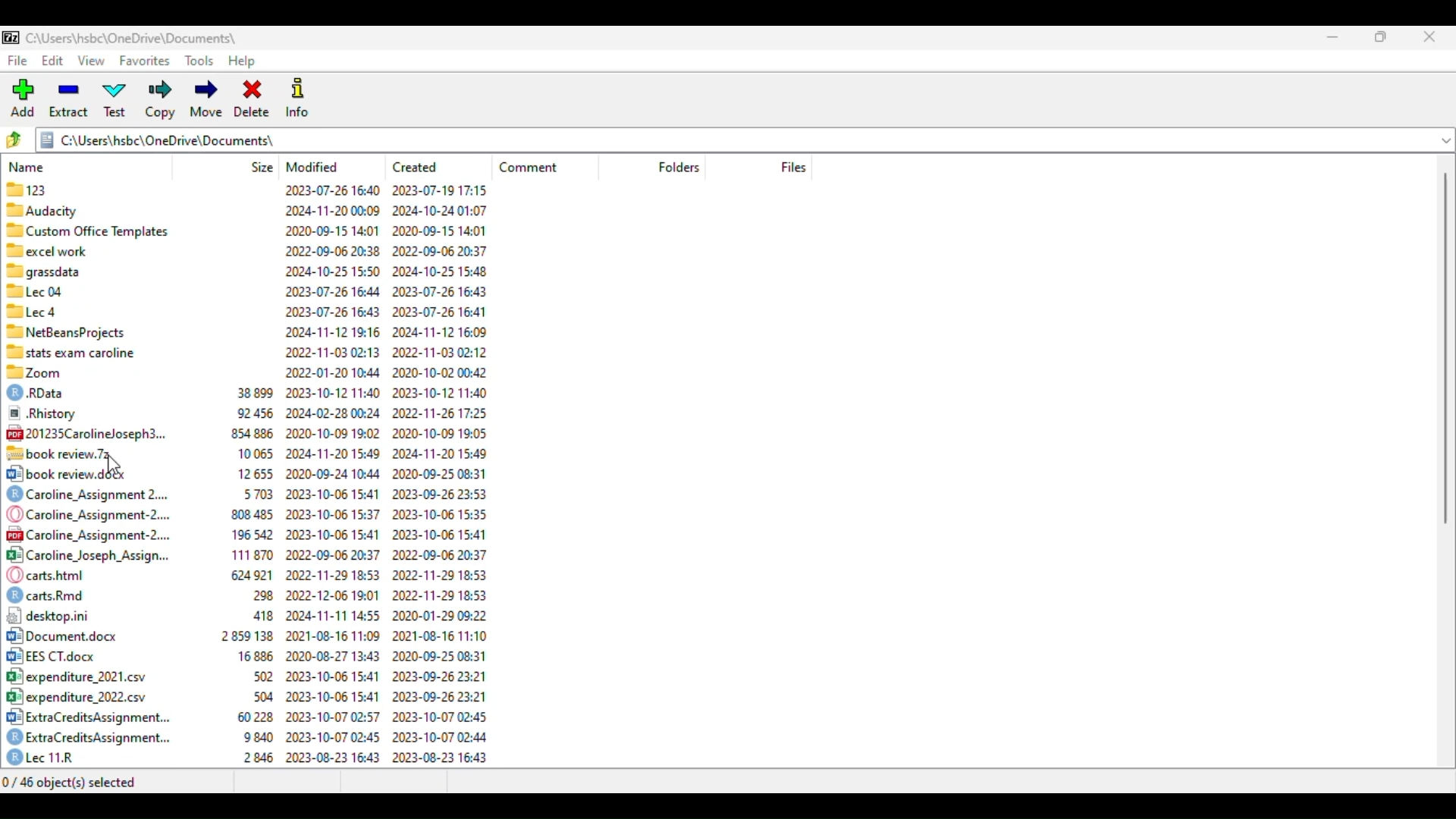  What do you see at coordinates (13, 140) in the screenshot?
I see `browse folders` at bounding box center [13, 140].